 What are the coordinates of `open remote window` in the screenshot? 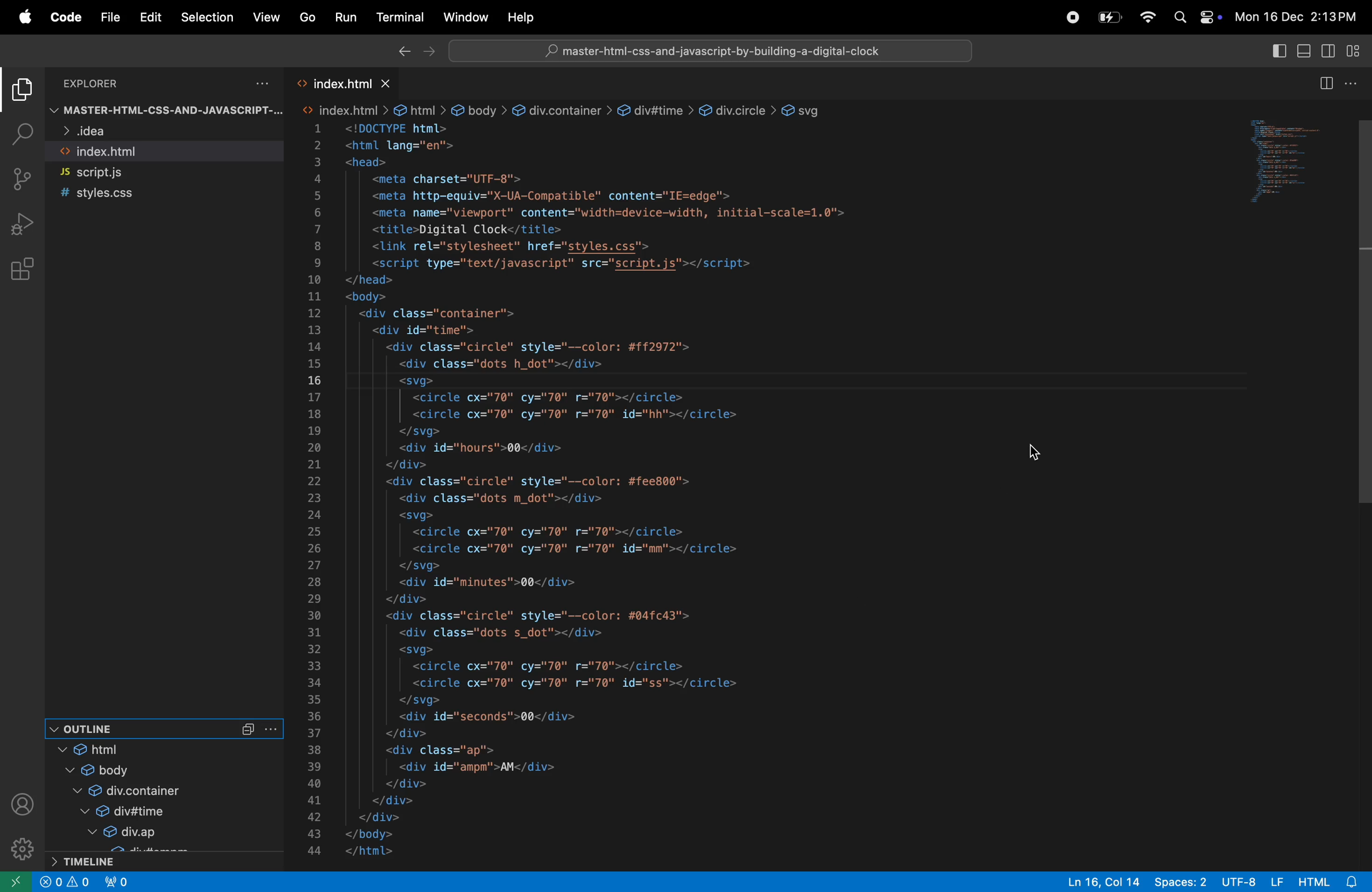 It's located at (17, 882).